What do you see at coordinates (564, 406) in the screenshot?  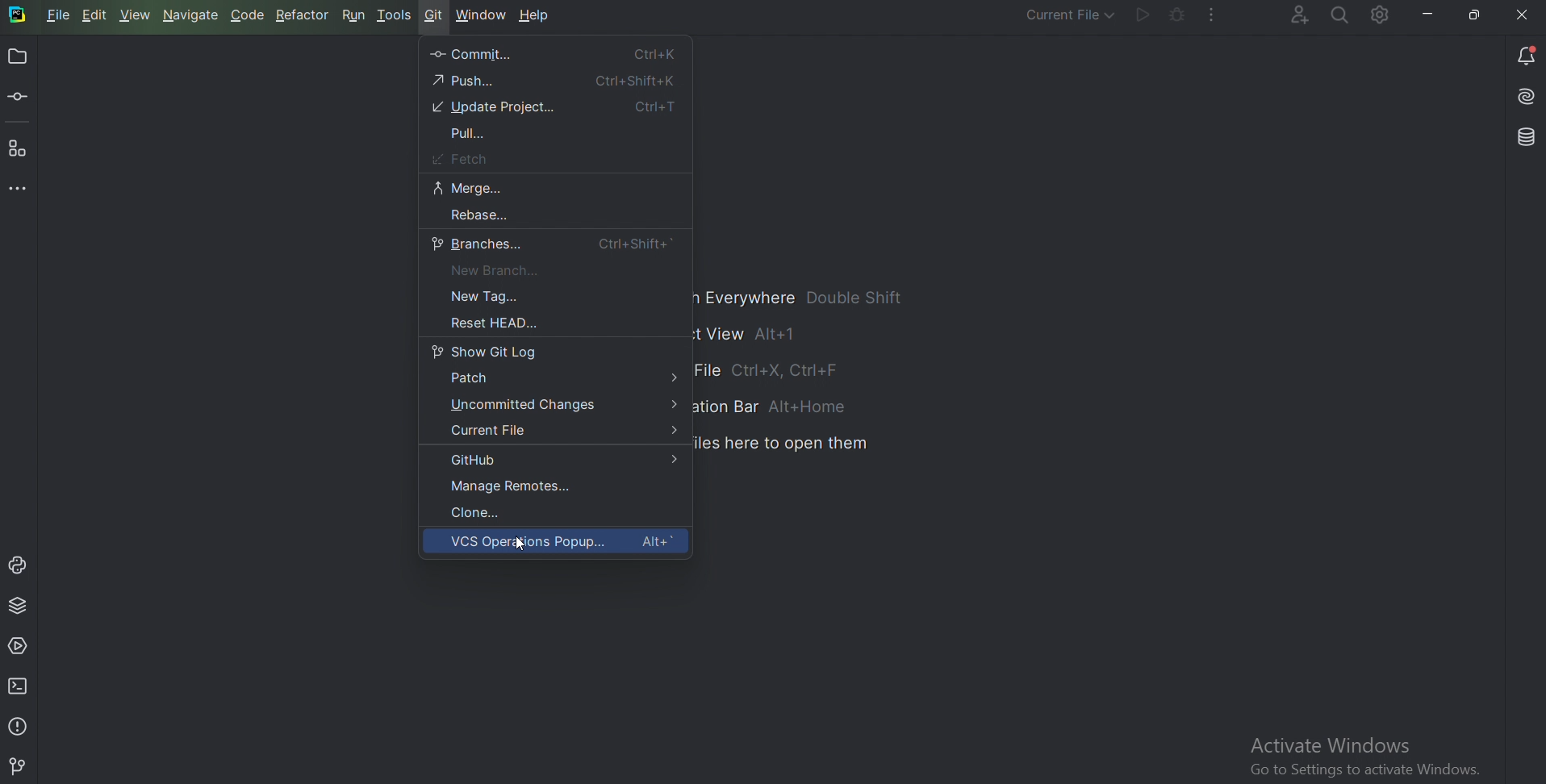 I see `Uncommitted Changes` at bounding box center [564, 406].